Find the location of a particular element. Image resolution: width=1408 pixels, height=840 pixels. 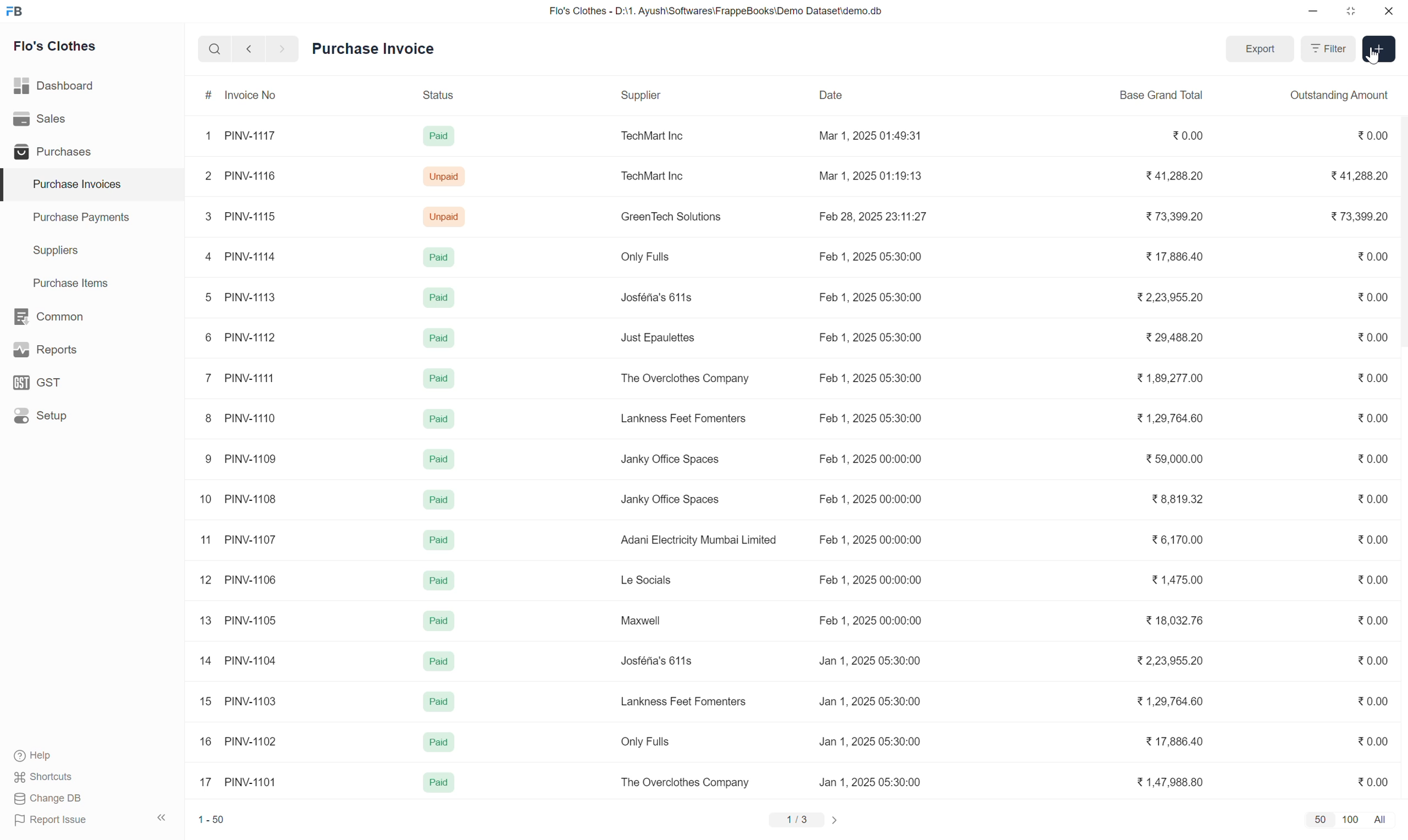

Close is located at coordinates (1389, 11).